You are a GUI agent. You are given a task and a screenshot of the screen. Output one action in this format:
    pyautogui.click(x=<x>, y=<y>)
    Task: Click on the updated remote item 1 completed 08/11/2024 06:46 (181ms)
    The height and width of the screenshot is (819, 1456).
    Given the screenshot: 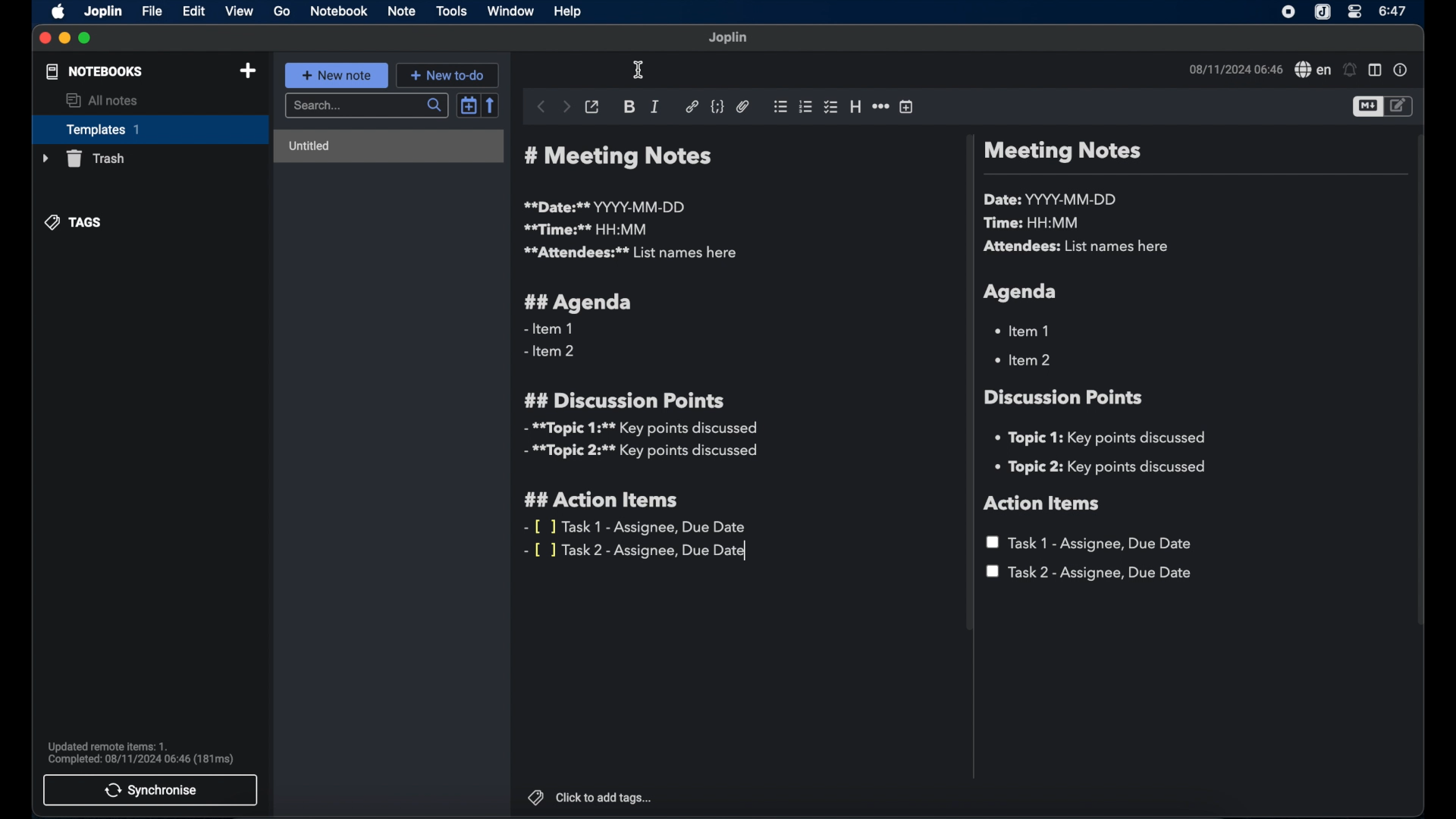 What is the action you would take?
    pyautogui.click(x=143, y=752)
    